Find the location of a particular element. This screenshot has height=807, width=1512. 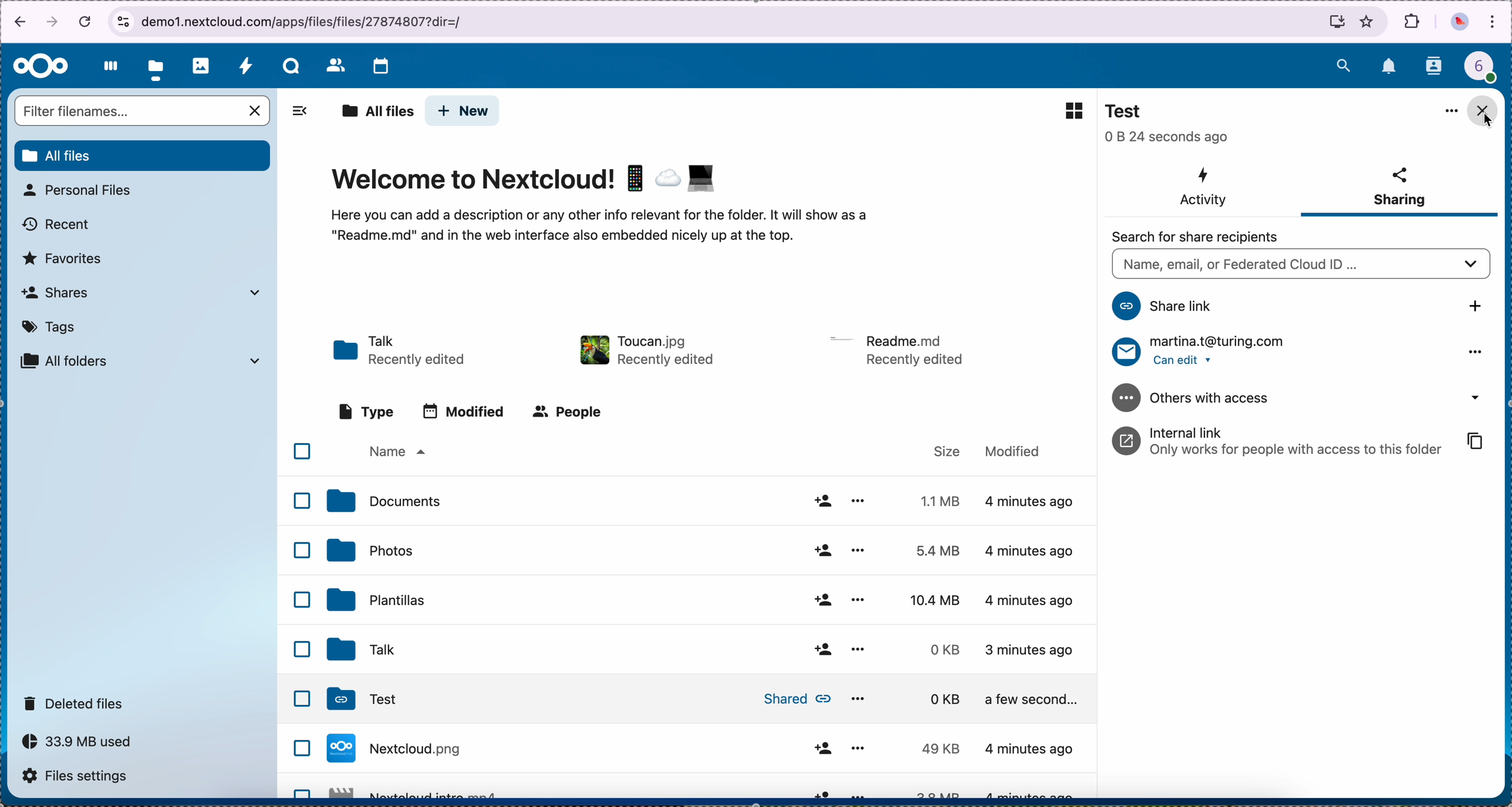

cancel is located at coordinates (87, 21).